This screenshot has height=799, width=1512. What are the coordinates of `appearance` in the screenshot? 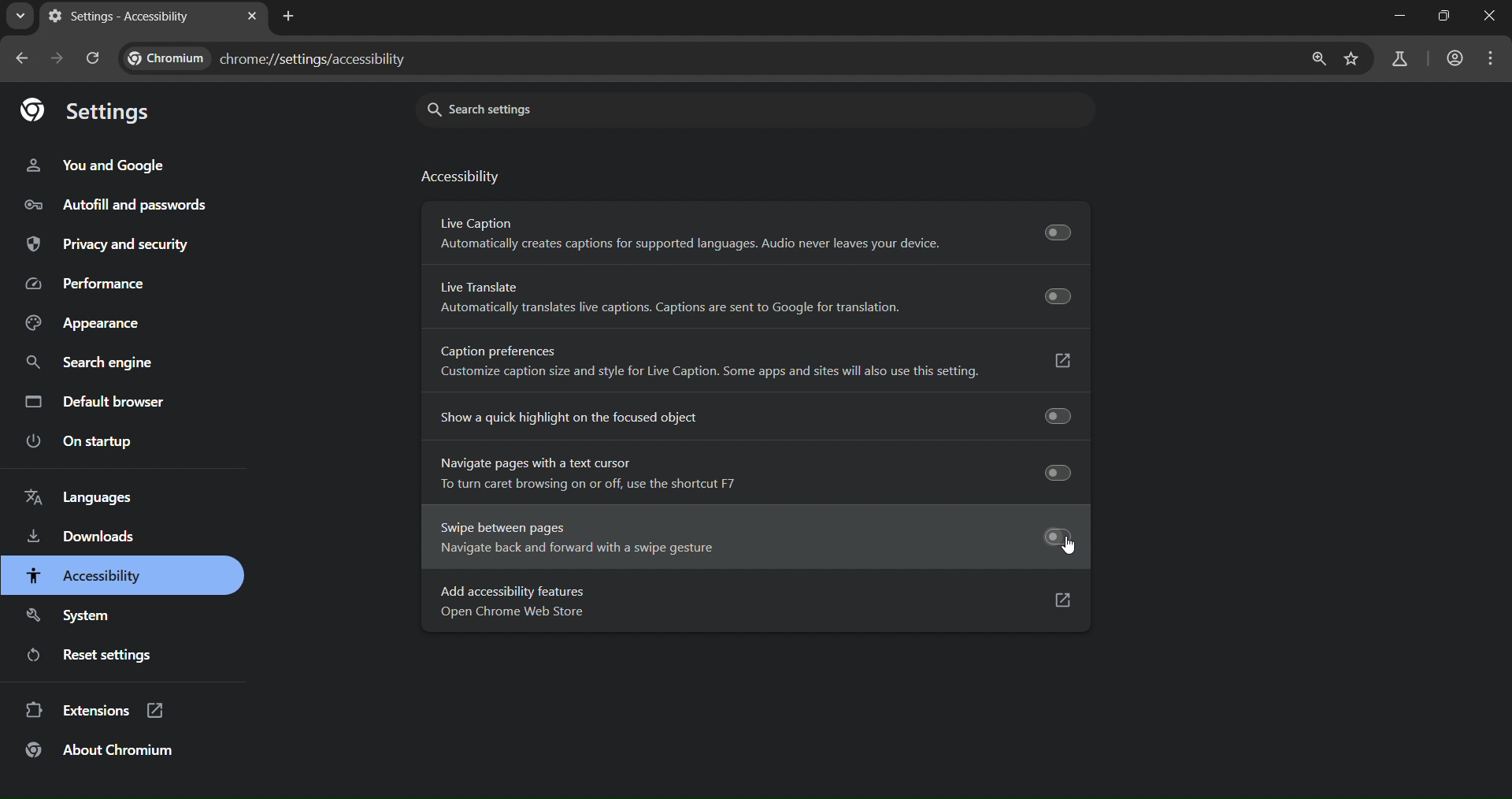 It's located at (80, 322).